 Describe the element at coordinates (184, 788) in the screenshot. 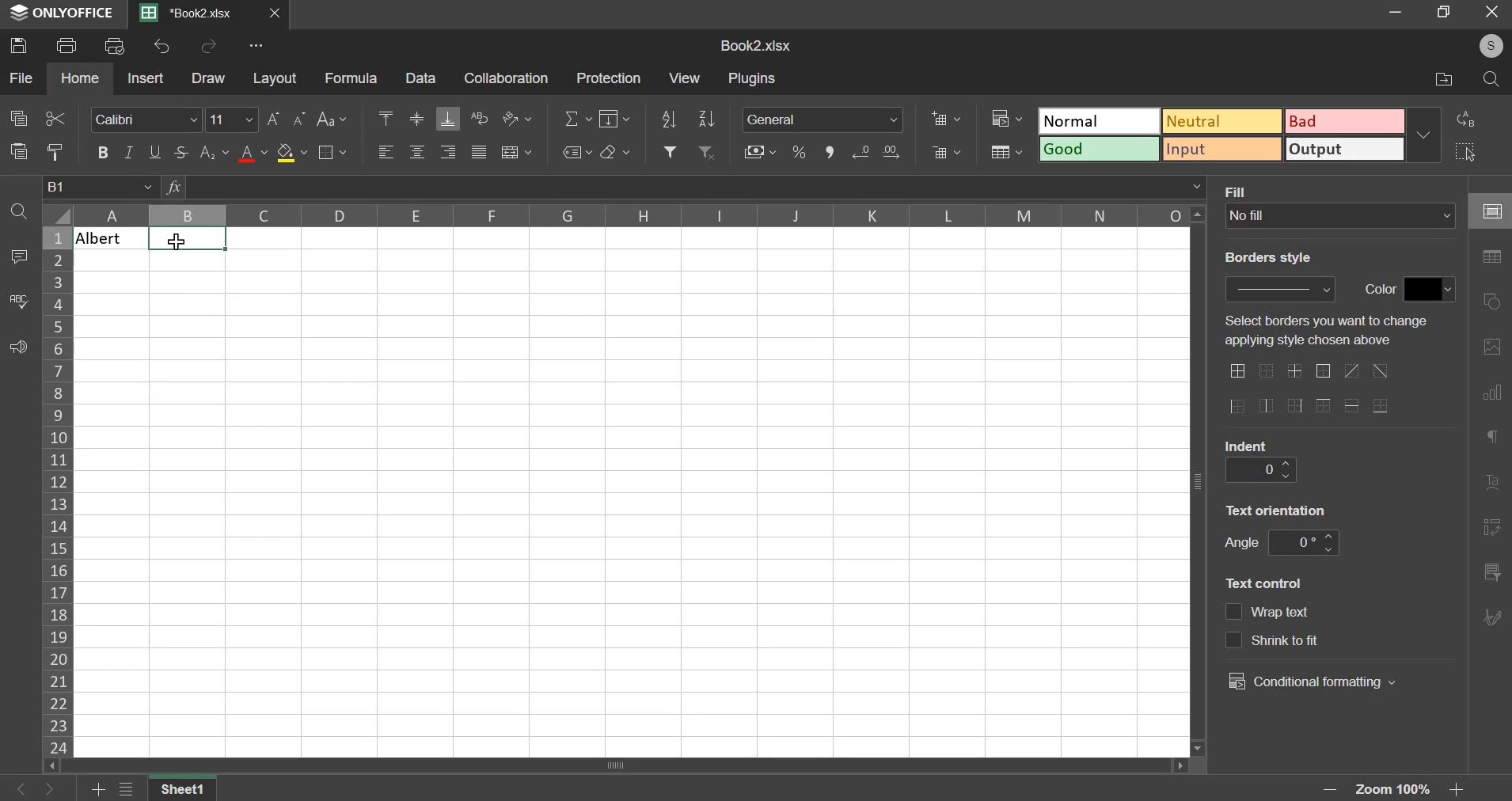

I see `Sheet name` at that location.